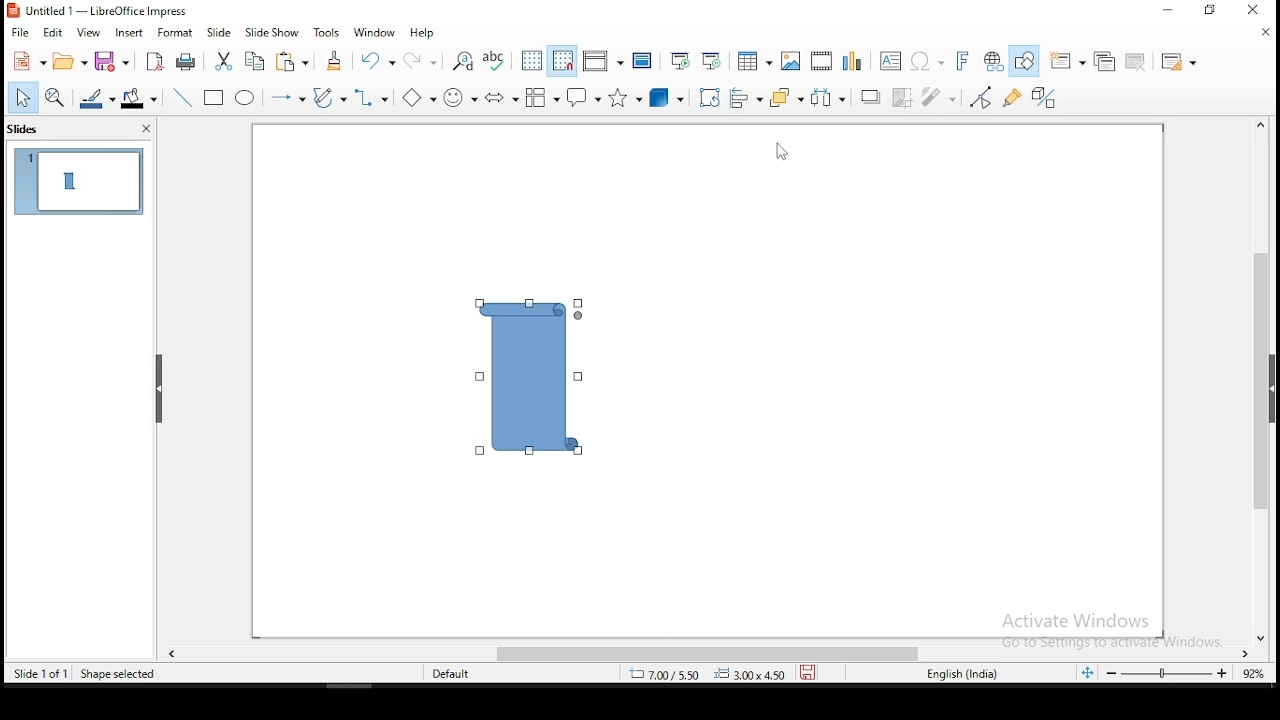 The height and width of the screenshot is (720, 1280). I want to click on line color, so click(98, 97).